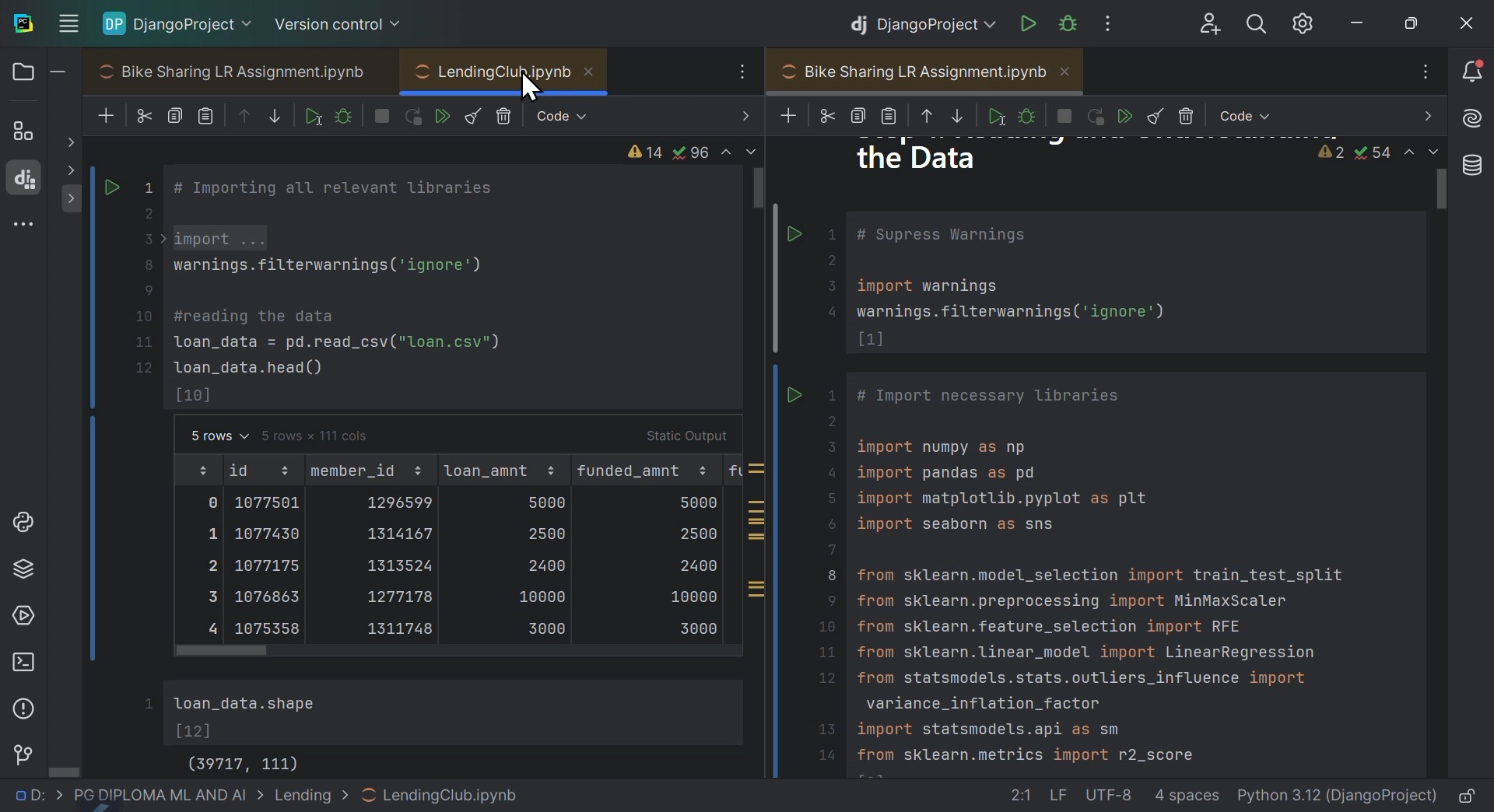 The image size is (1494, 812). Describe the element at coordinates (1123, 115) in the screenshot. I see `` at that location.